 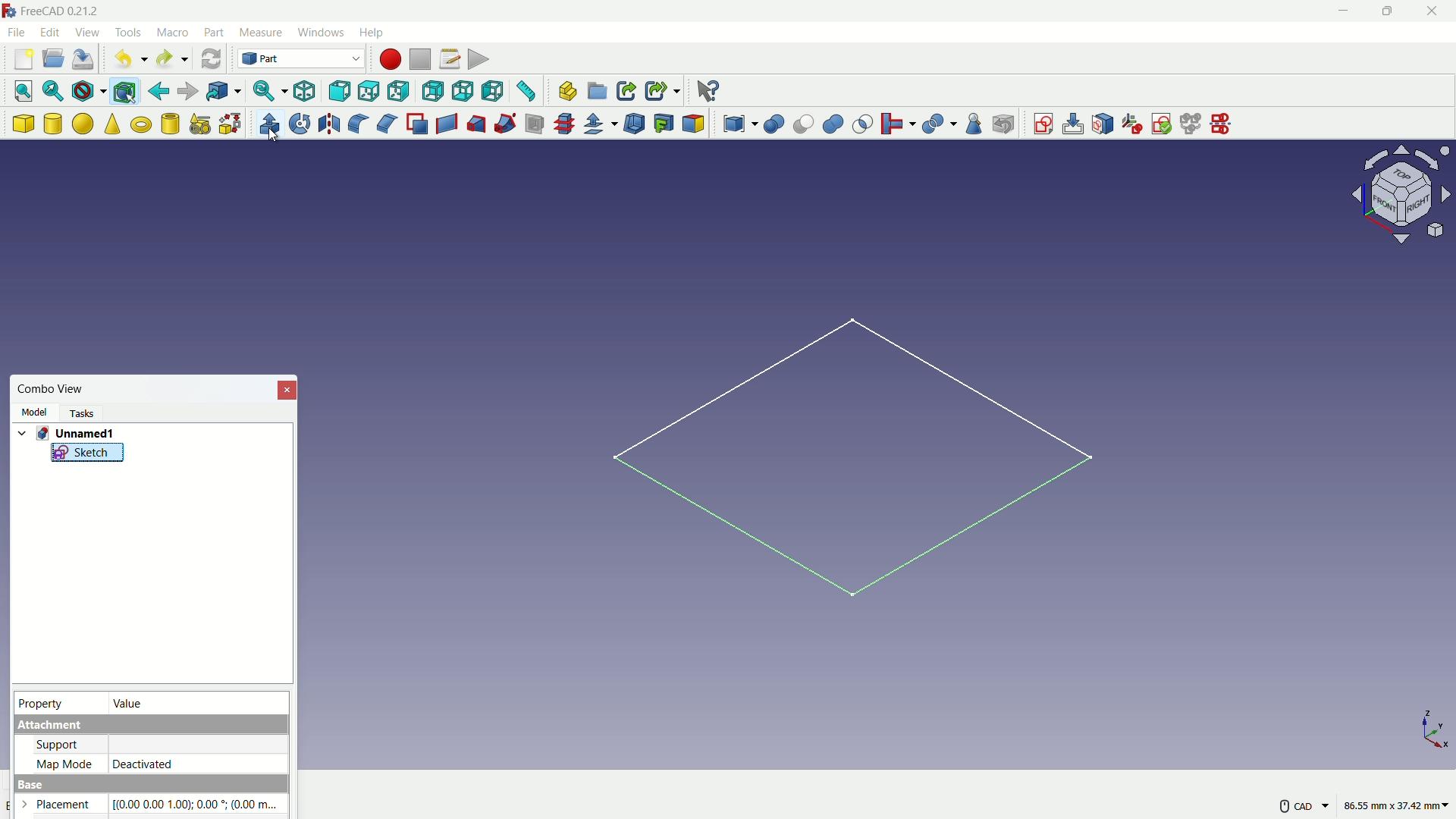 I want to click on property, so click(x=42, y=702).